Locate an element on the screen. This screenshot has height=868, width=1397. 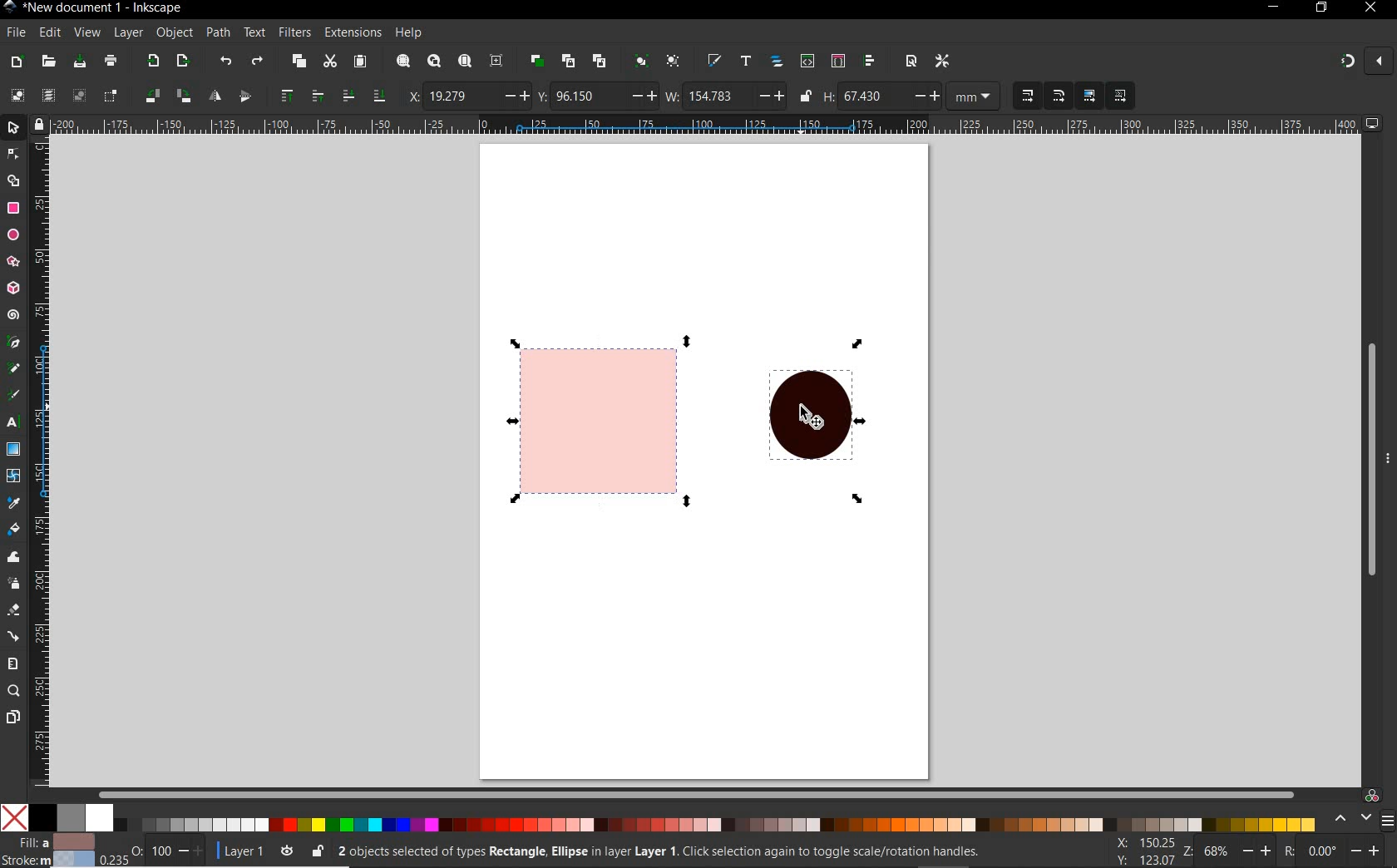
page tool is located at coordinates (12, 718).